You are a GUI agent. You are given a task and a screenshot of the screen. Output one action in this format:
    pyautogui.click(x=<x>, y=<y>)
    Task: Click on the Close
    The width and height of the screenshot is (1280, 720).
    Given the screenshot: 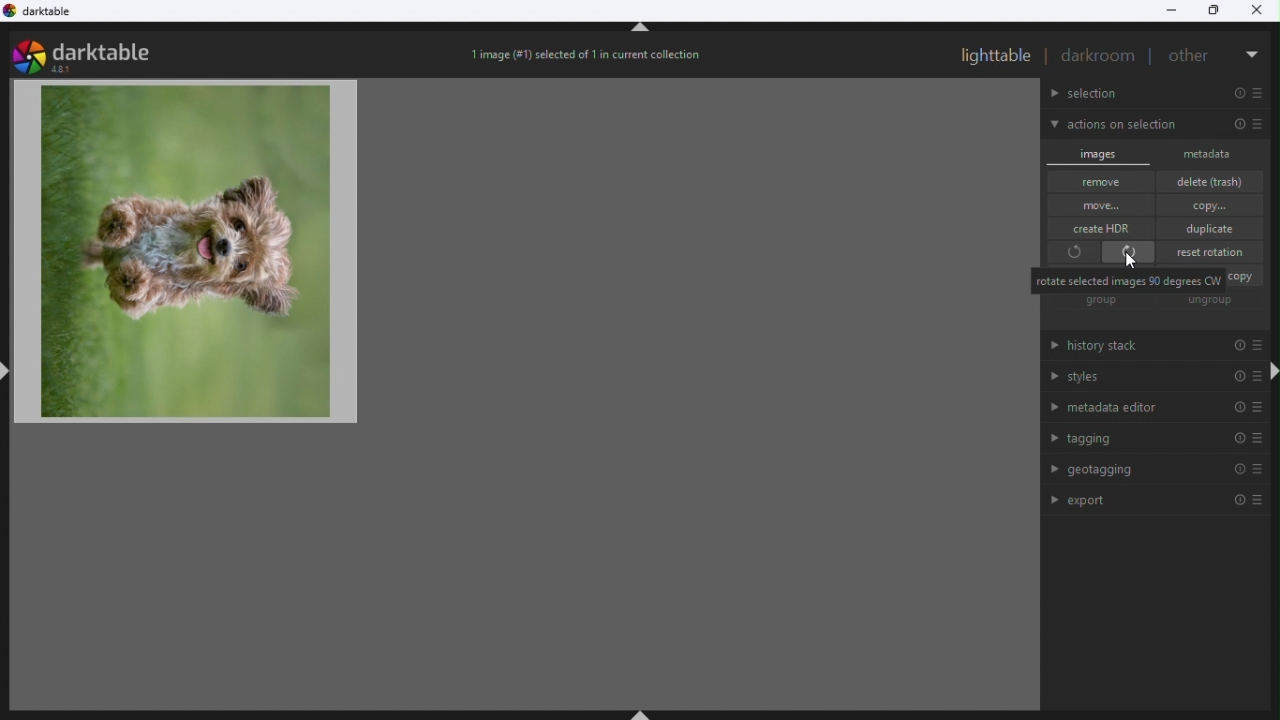 What is the action you would take?
    pyautogui.click(x=1262, y=10)
    